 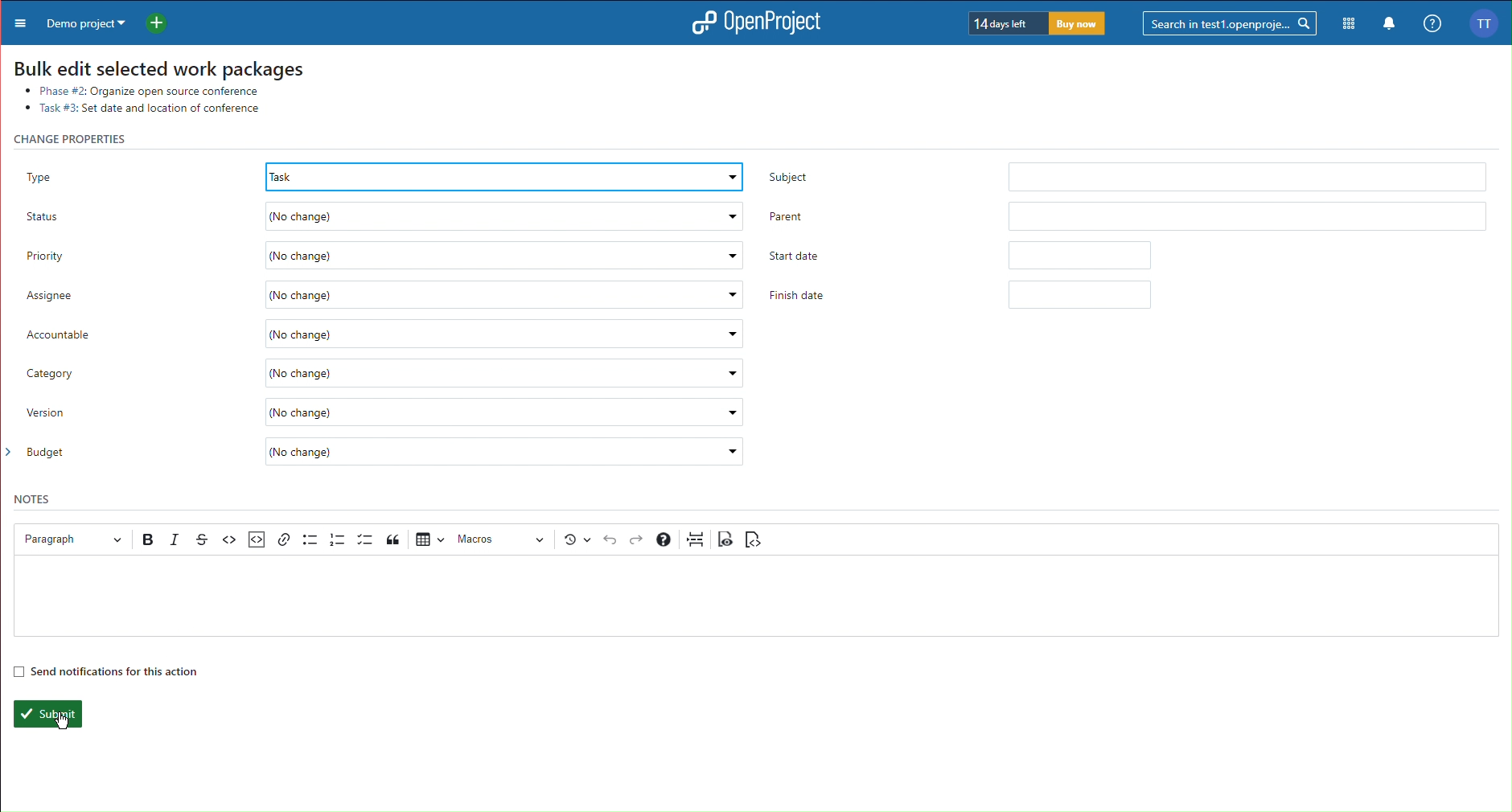 What do you see at coordinates (1431, 24) in the screenshot?
I see `Help` at bounding box center [1431, 24].